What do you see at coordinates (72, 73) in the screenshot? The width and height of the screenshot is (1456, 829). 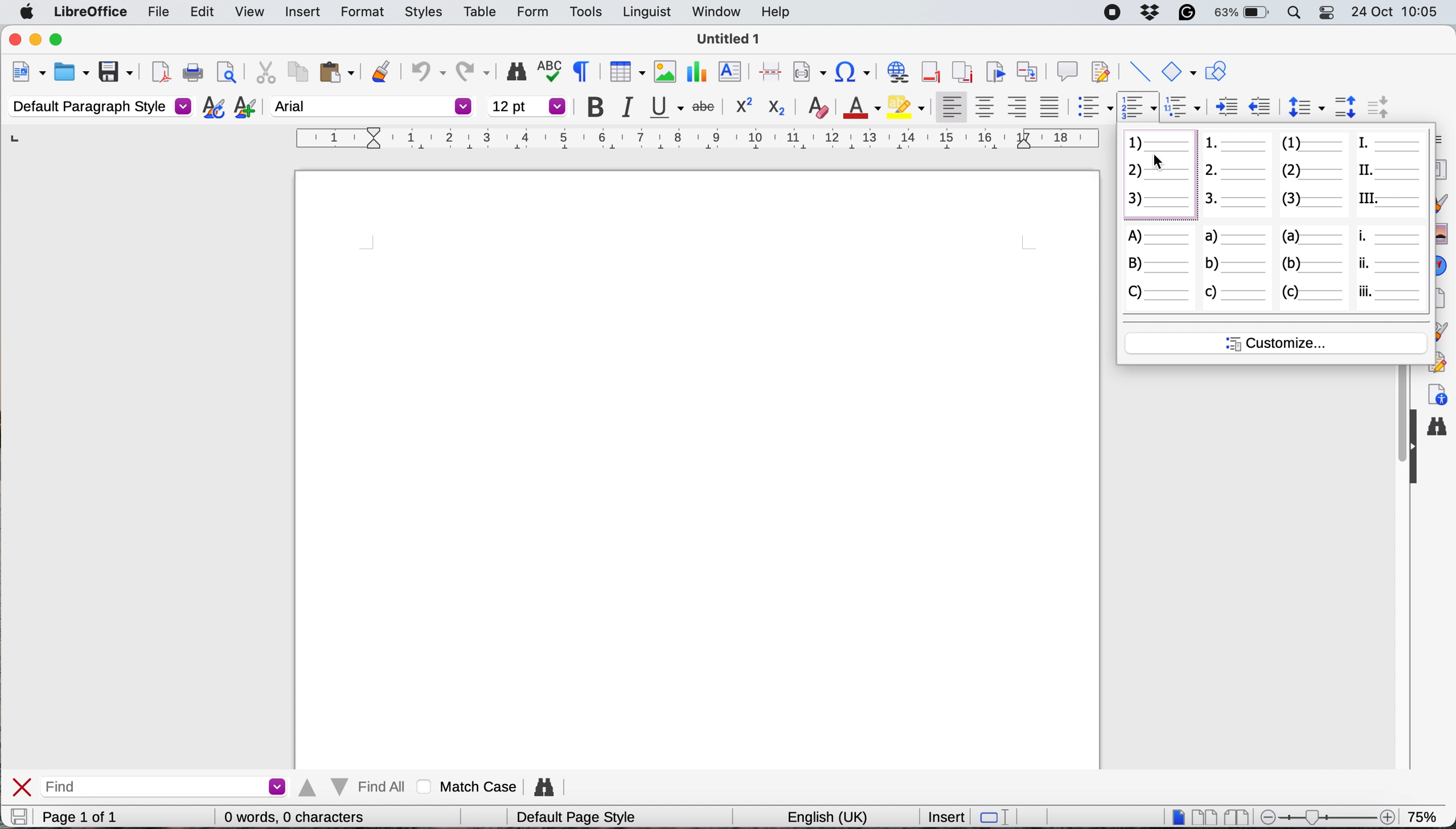 I see `open` at bounding box center [72, 73].